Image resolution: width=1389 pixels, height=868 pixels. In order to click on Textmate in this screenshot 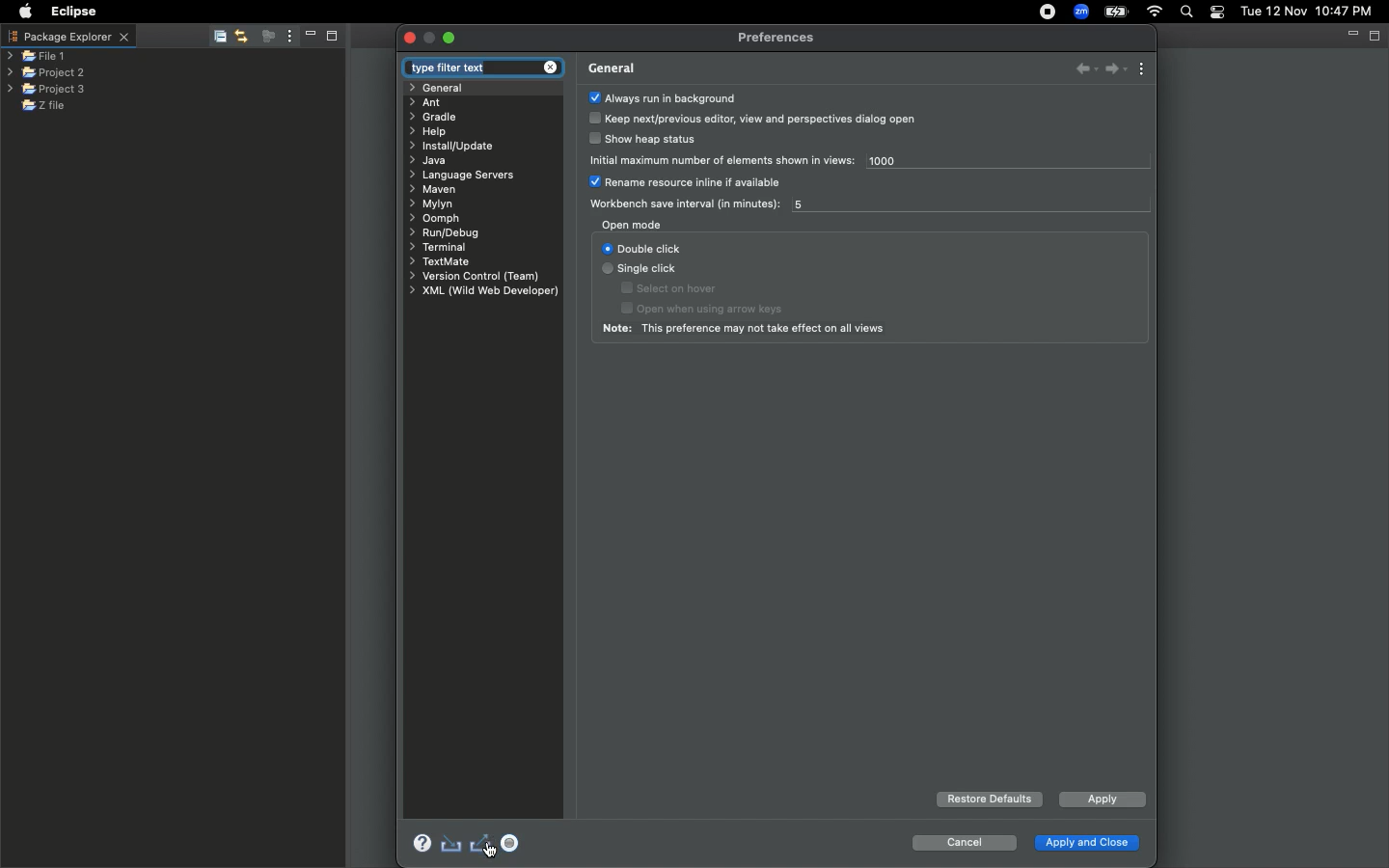, I will do `click(442, 262)`.